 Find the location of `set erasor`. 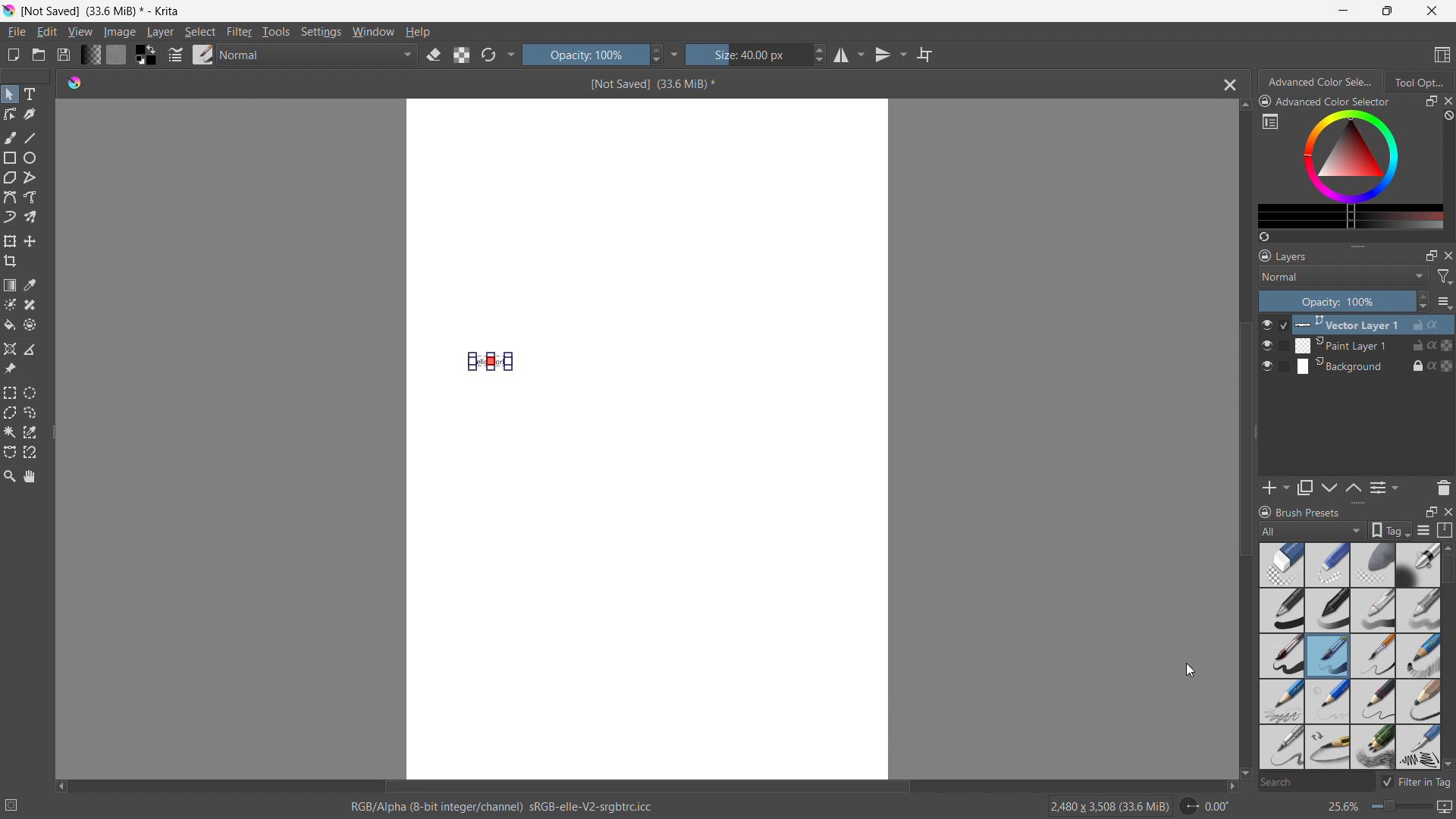

set erasor is located at coordinates (433, 55).